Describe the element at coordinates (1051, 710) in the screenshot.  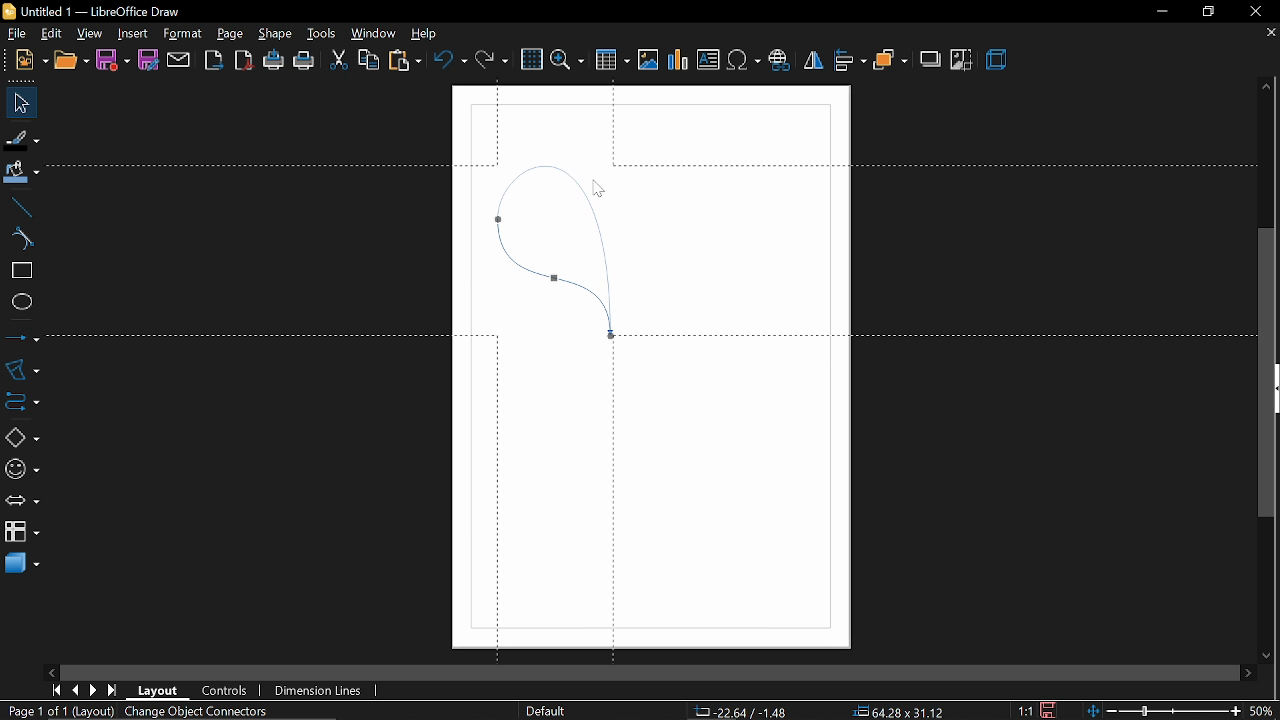
I see `save` at that location.